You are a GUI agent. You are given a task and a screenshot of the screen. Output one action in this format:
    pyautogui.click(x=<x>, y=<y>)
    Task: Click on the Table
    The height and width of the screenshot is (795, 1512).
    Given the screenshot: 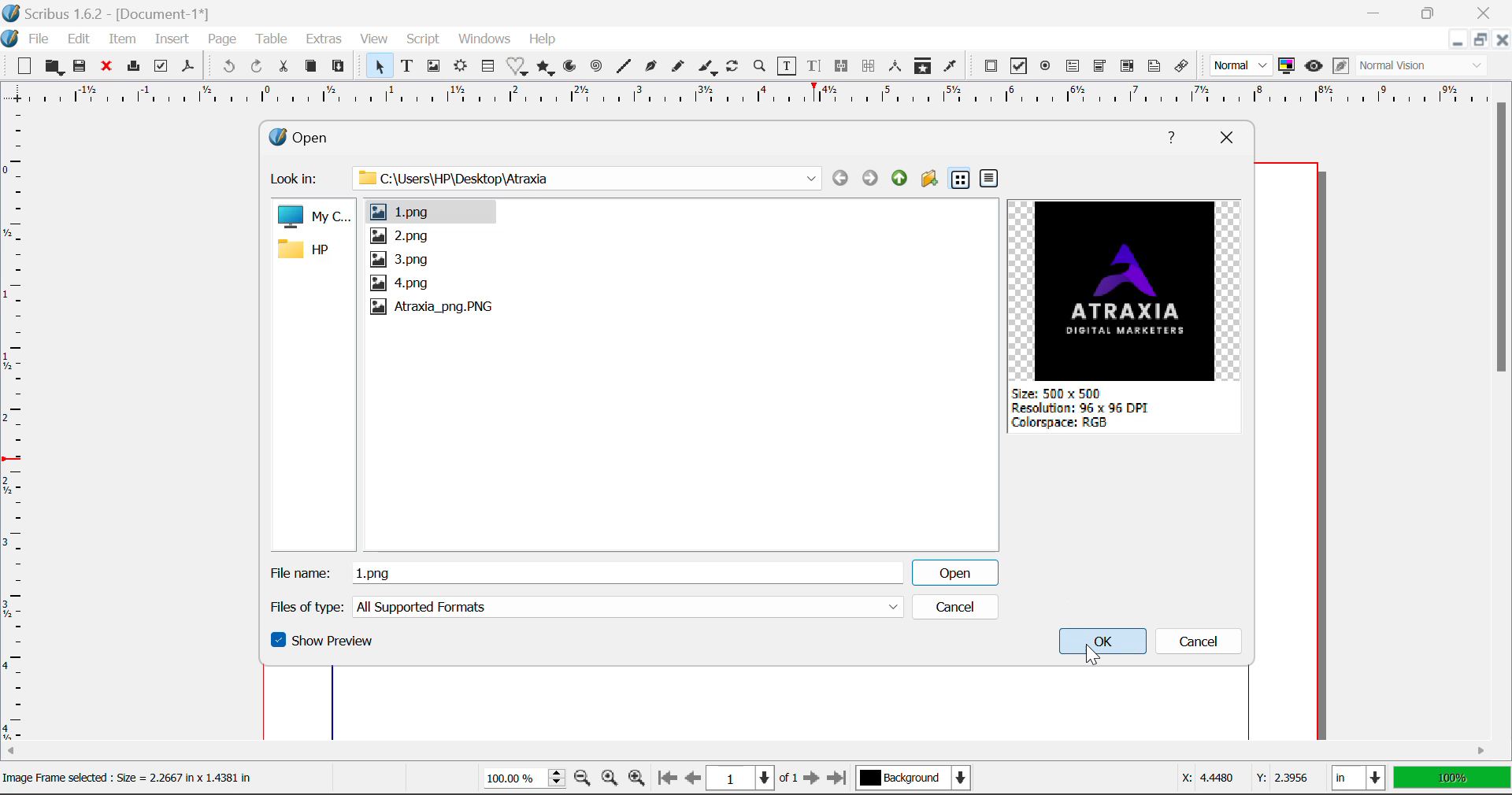 What is the action you would take?
    pyautogui.click(x=274, y=39)
    